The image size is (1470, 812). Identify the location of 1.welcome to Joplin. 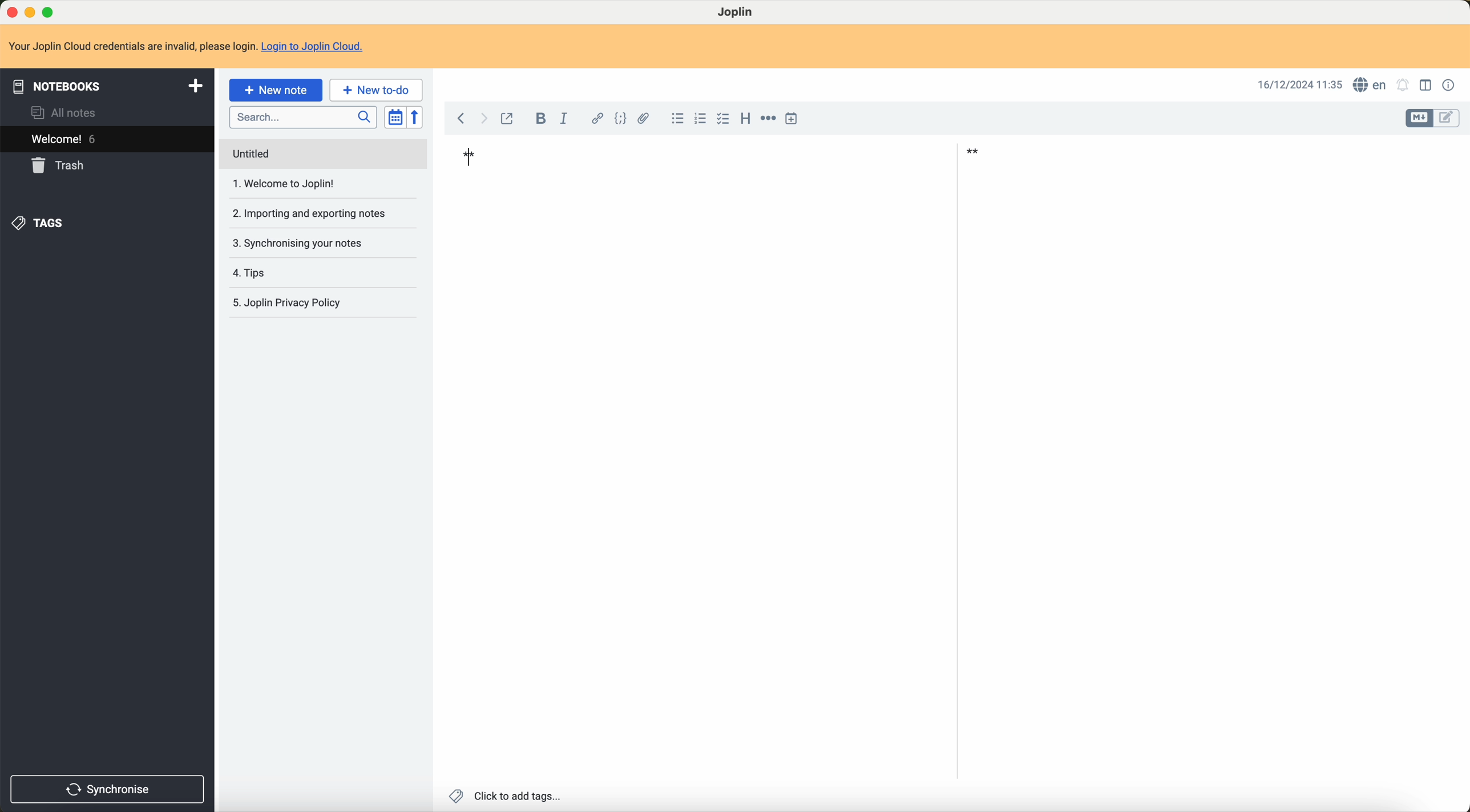
(288, 185).